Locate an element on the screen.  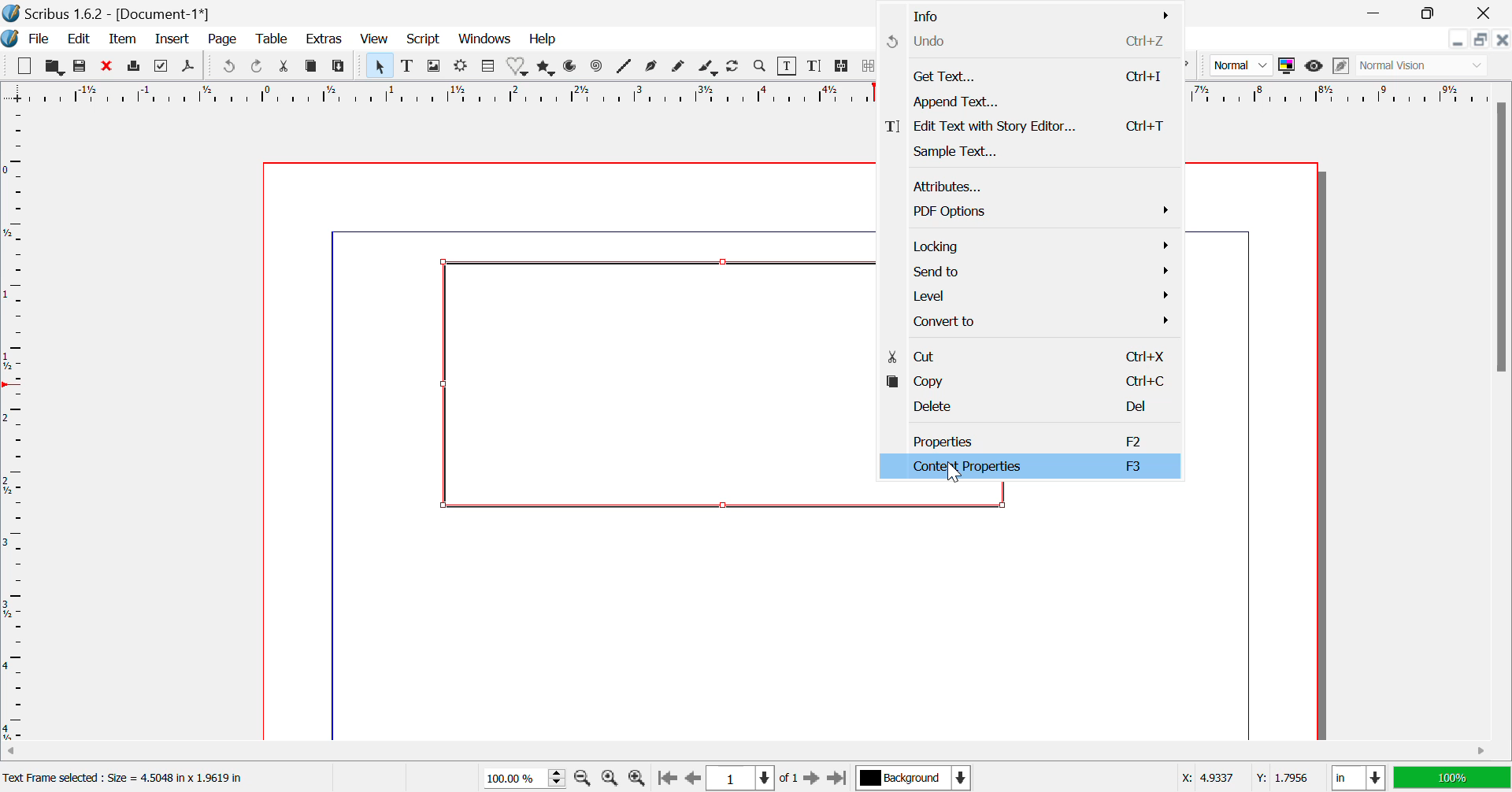
Page is located at coordinates (225, 41).